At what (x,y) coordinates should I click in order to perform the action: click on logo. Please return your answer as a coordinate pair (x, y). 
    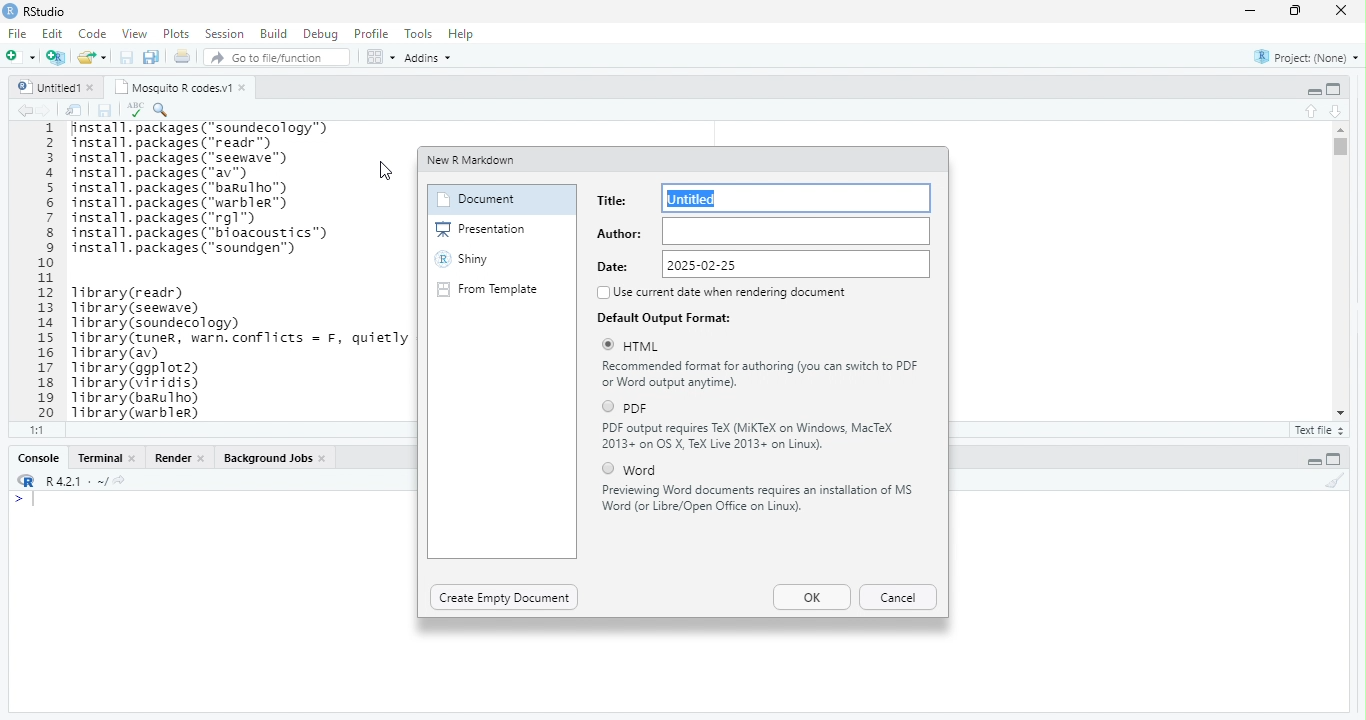
    Looking at the image, I should click on (28, 480).